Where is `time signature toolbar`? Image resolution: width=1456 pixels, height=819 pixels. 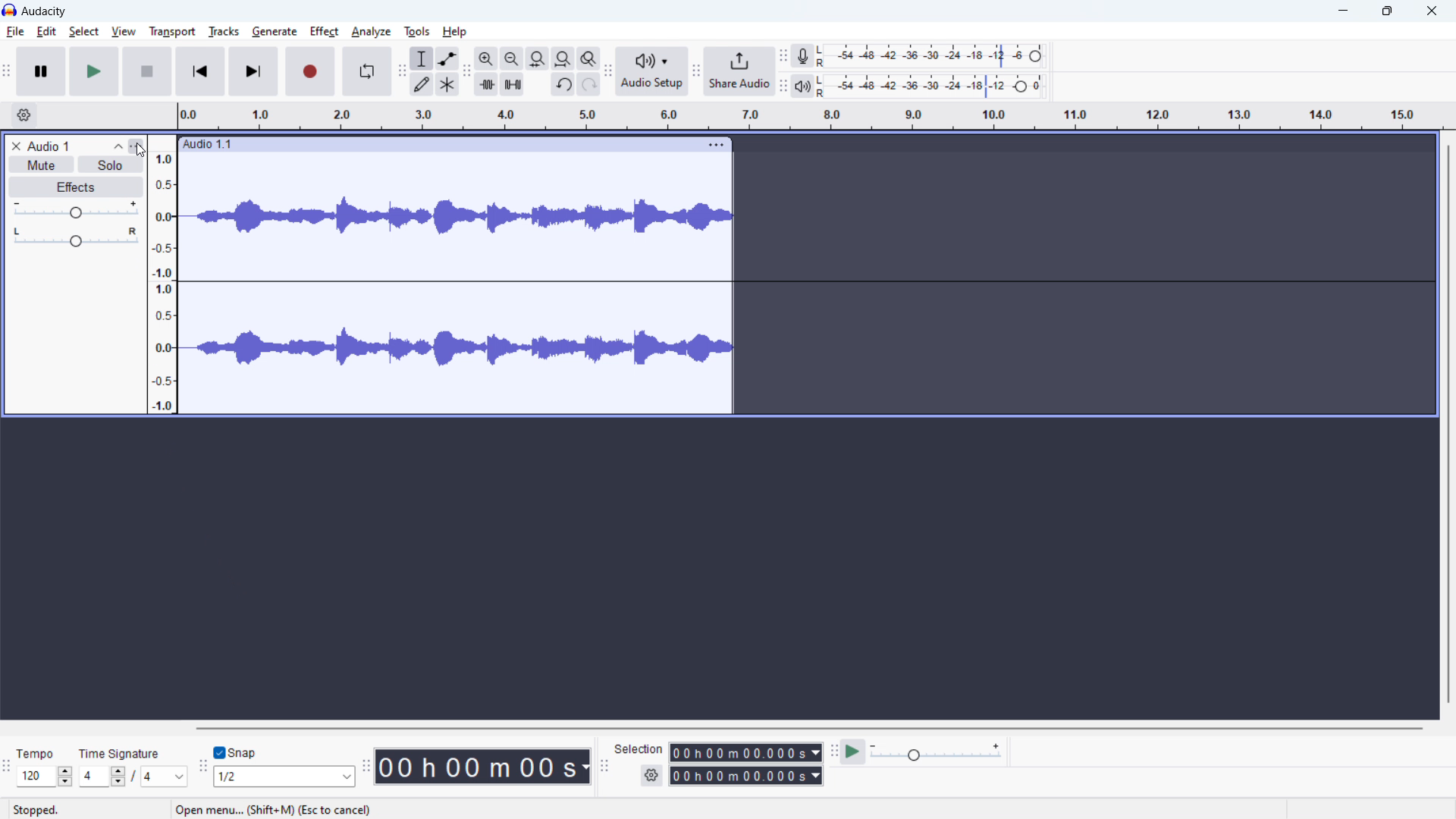 time signature toolbar is located at coordinates (8, 767).